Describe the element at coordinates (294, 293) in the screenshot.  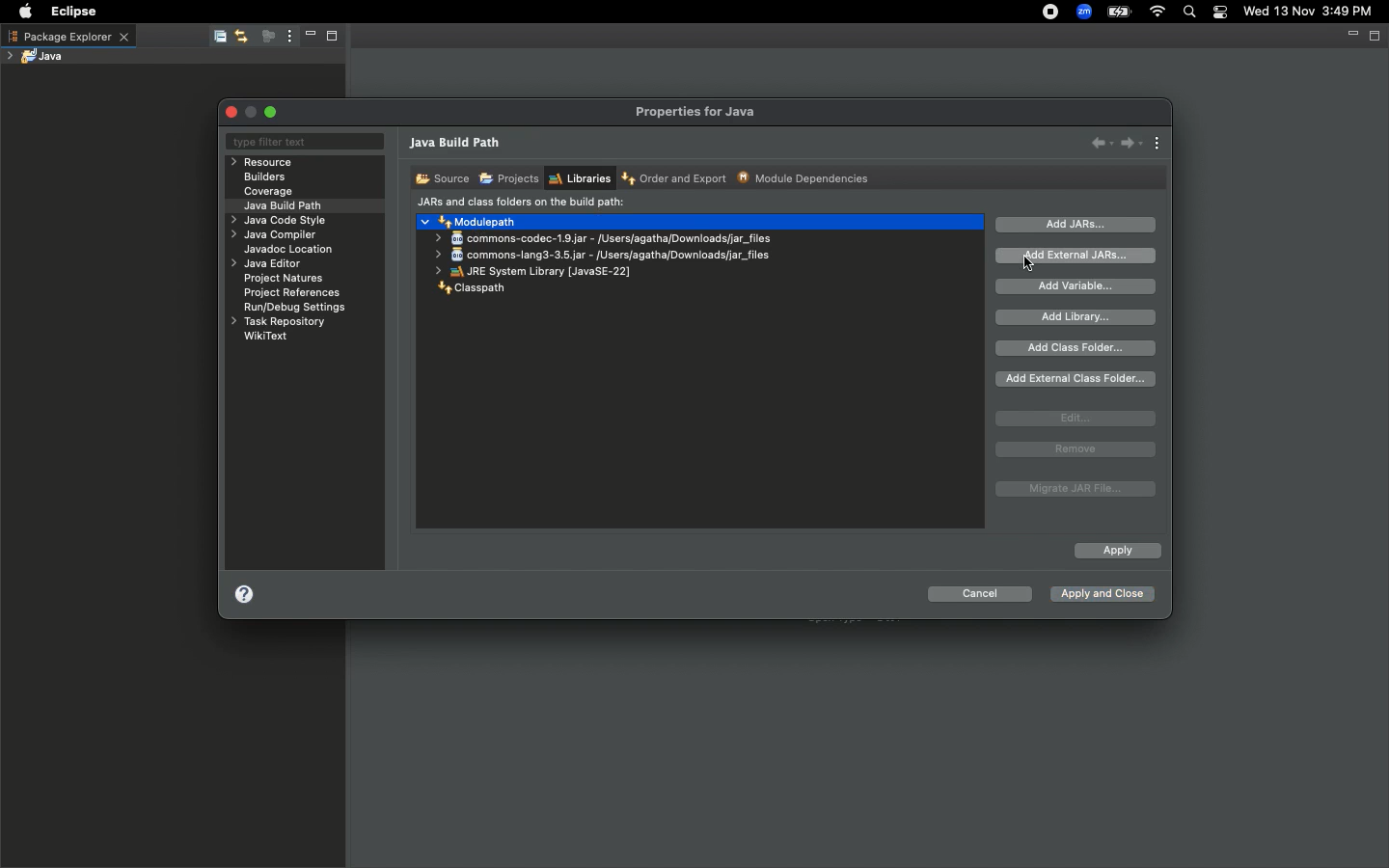
I see `Project references ` at that location.